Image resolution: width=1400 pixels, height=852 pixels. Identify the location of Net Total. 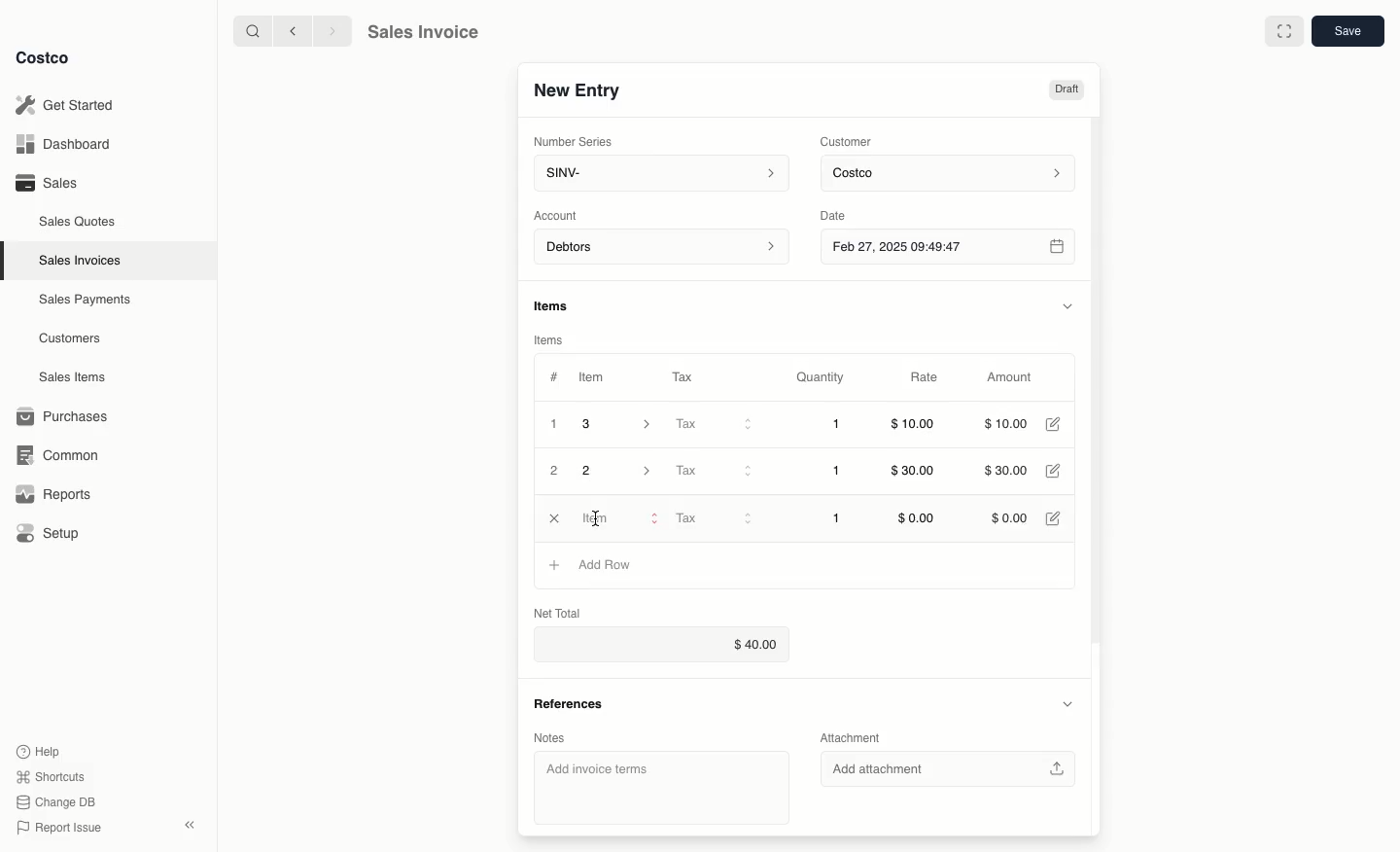
(558, 613).